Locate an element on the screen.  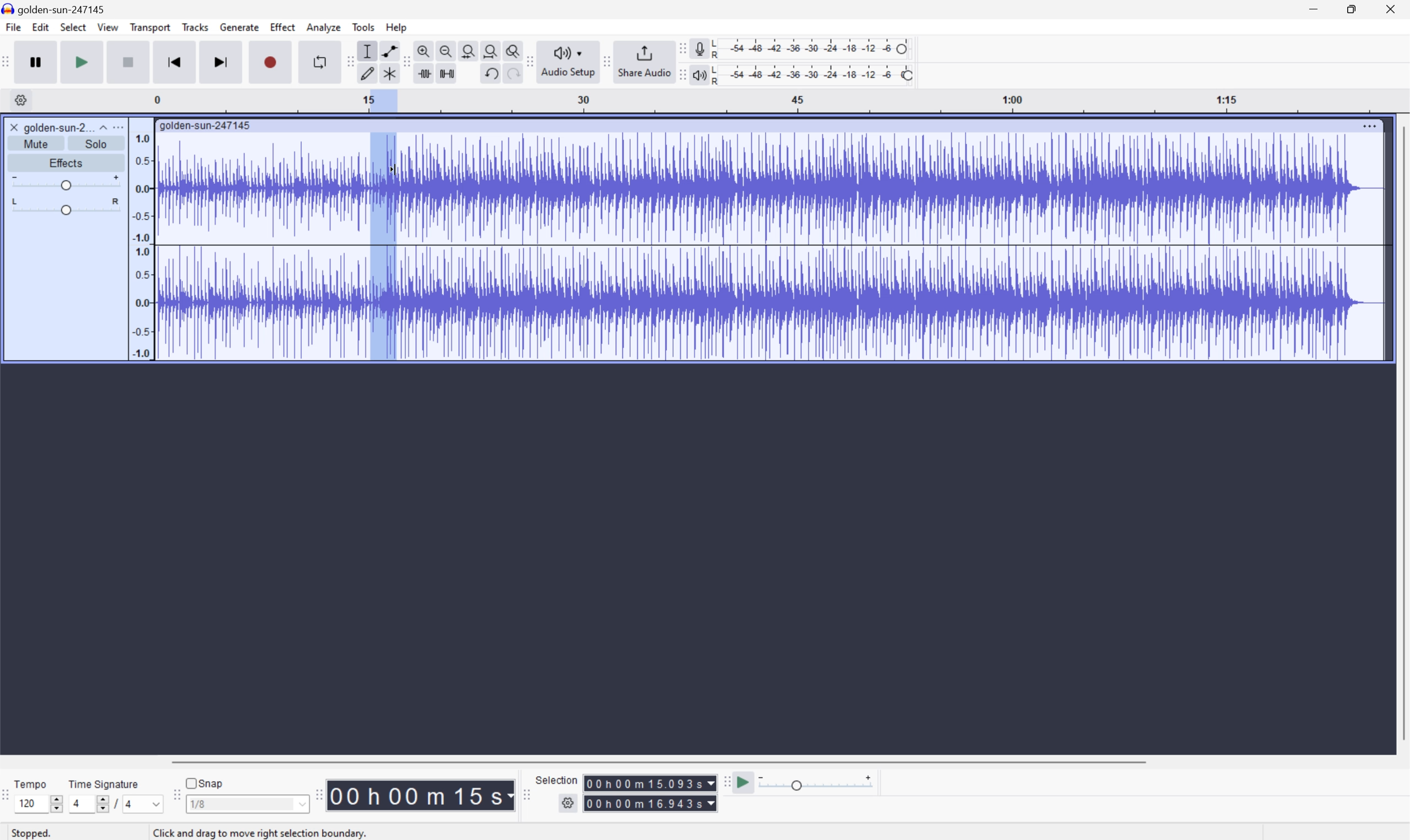
Audacity Snapping toolbar is located at coordinates (174, 799).